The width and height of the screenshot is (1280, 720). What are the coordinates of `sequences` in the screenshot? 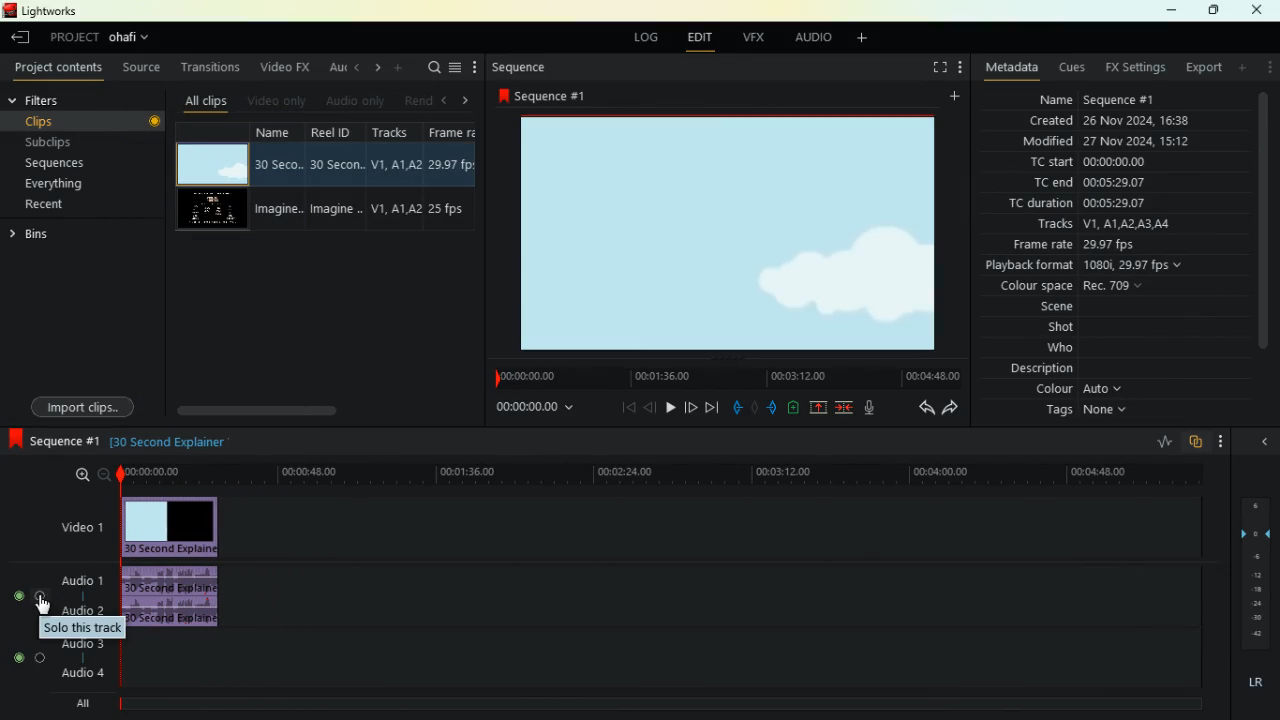 It's located at (59, 162).